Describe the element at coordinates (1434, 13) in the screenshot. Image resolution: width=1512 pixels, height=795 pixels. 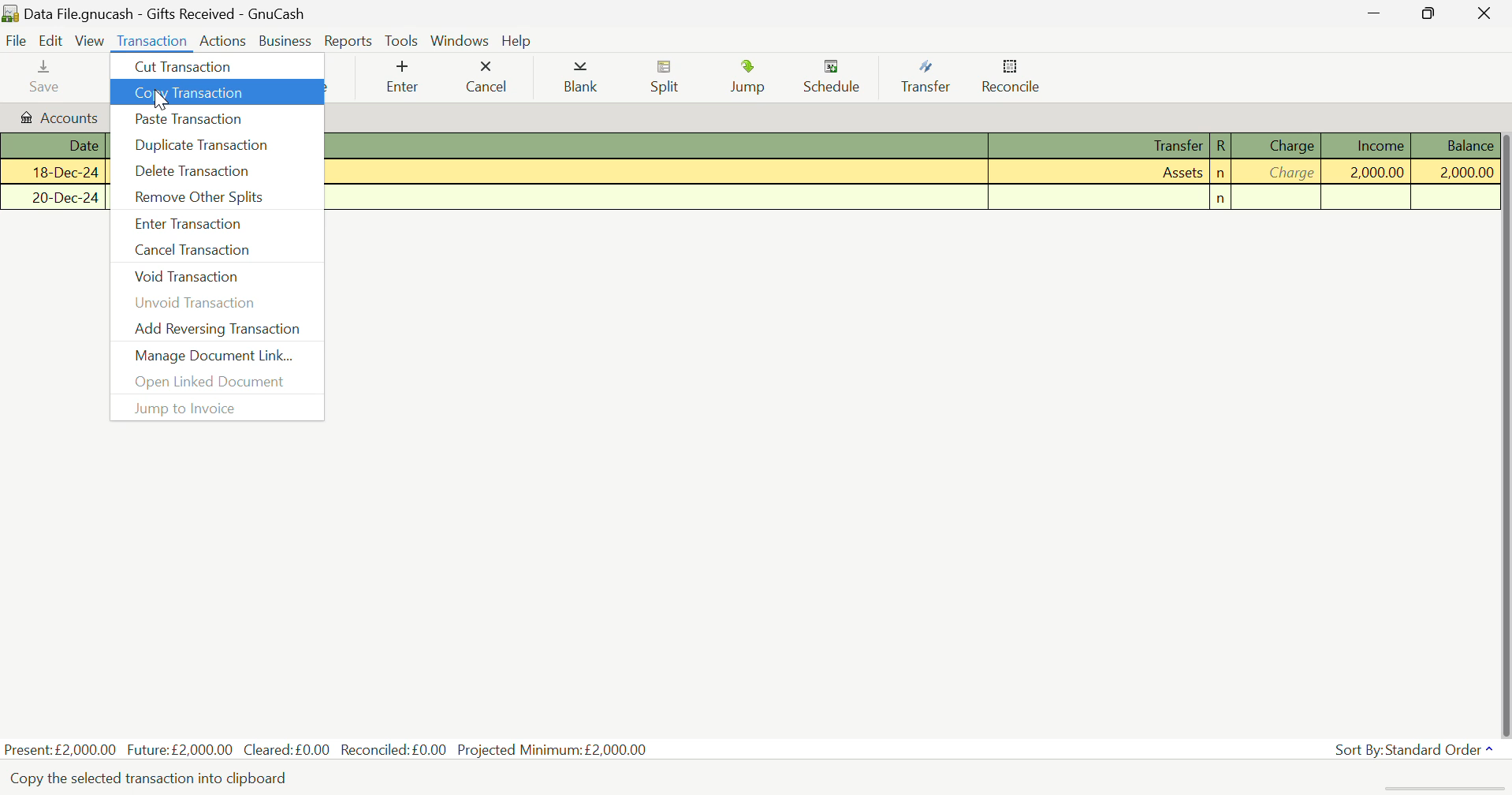
I see `Minimize` at that location.